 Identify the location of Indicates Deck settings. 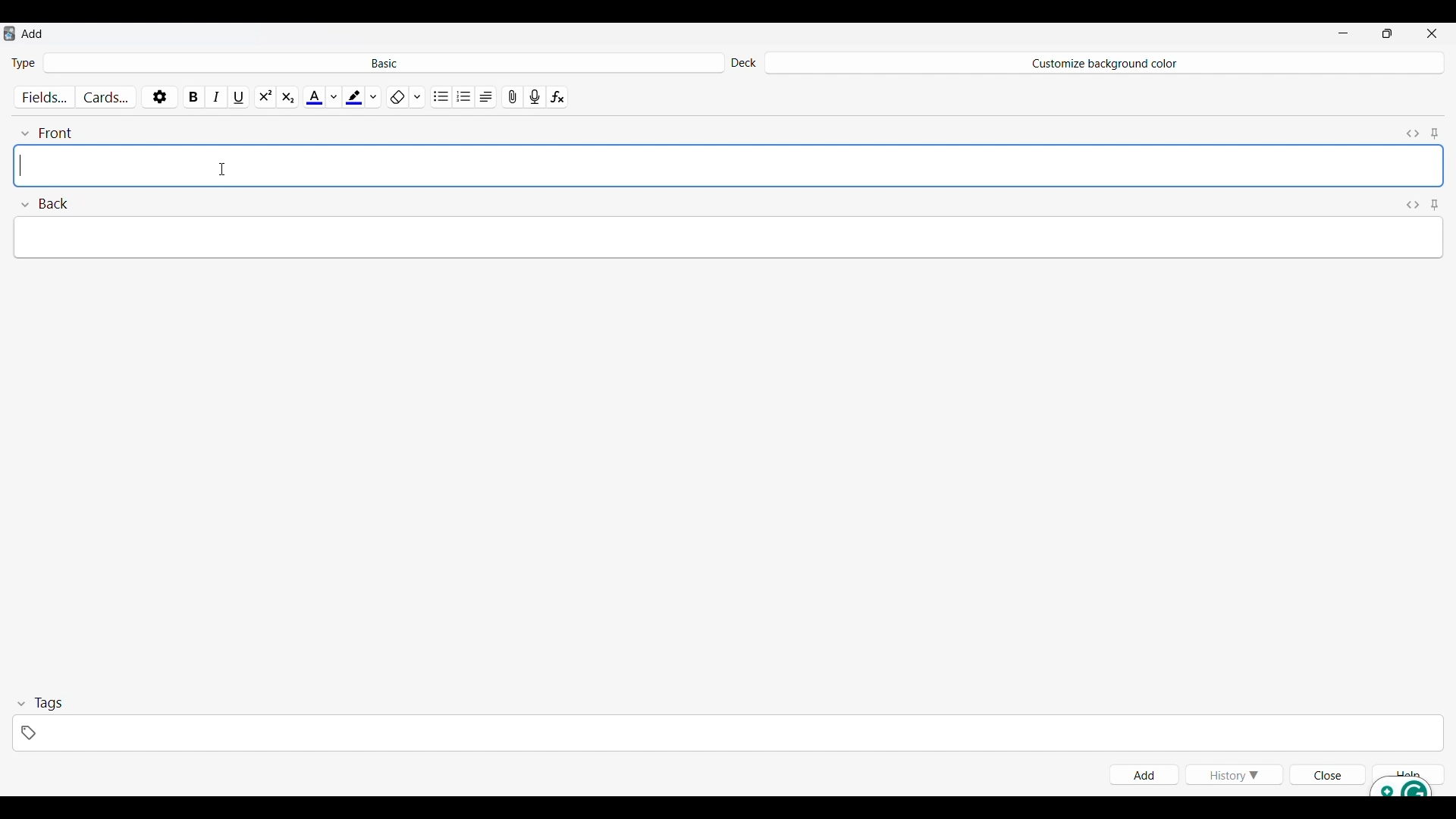
(743, 63).